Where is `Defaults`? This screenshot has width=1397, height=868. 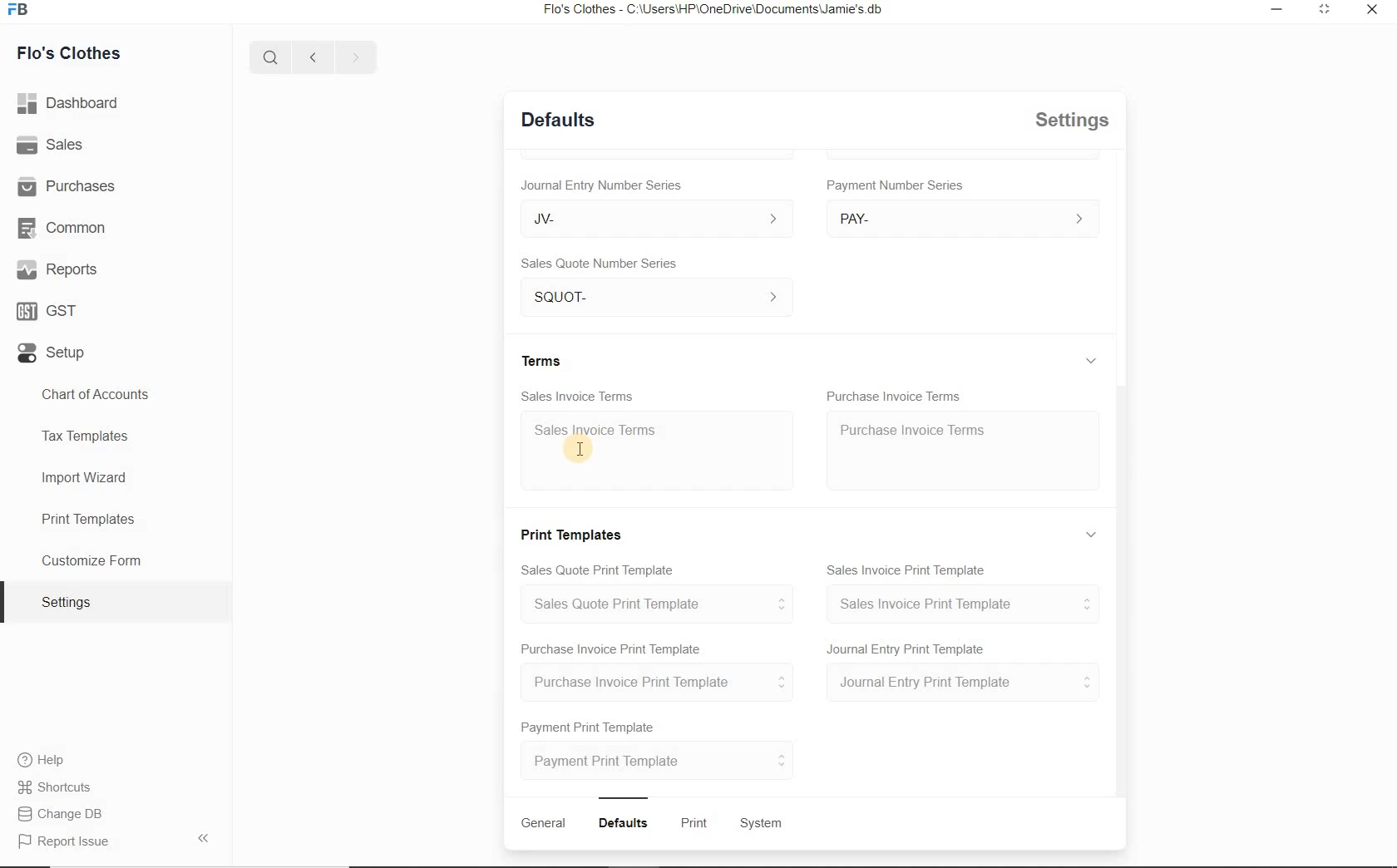
Defaults is located at coordinates (558, 118).